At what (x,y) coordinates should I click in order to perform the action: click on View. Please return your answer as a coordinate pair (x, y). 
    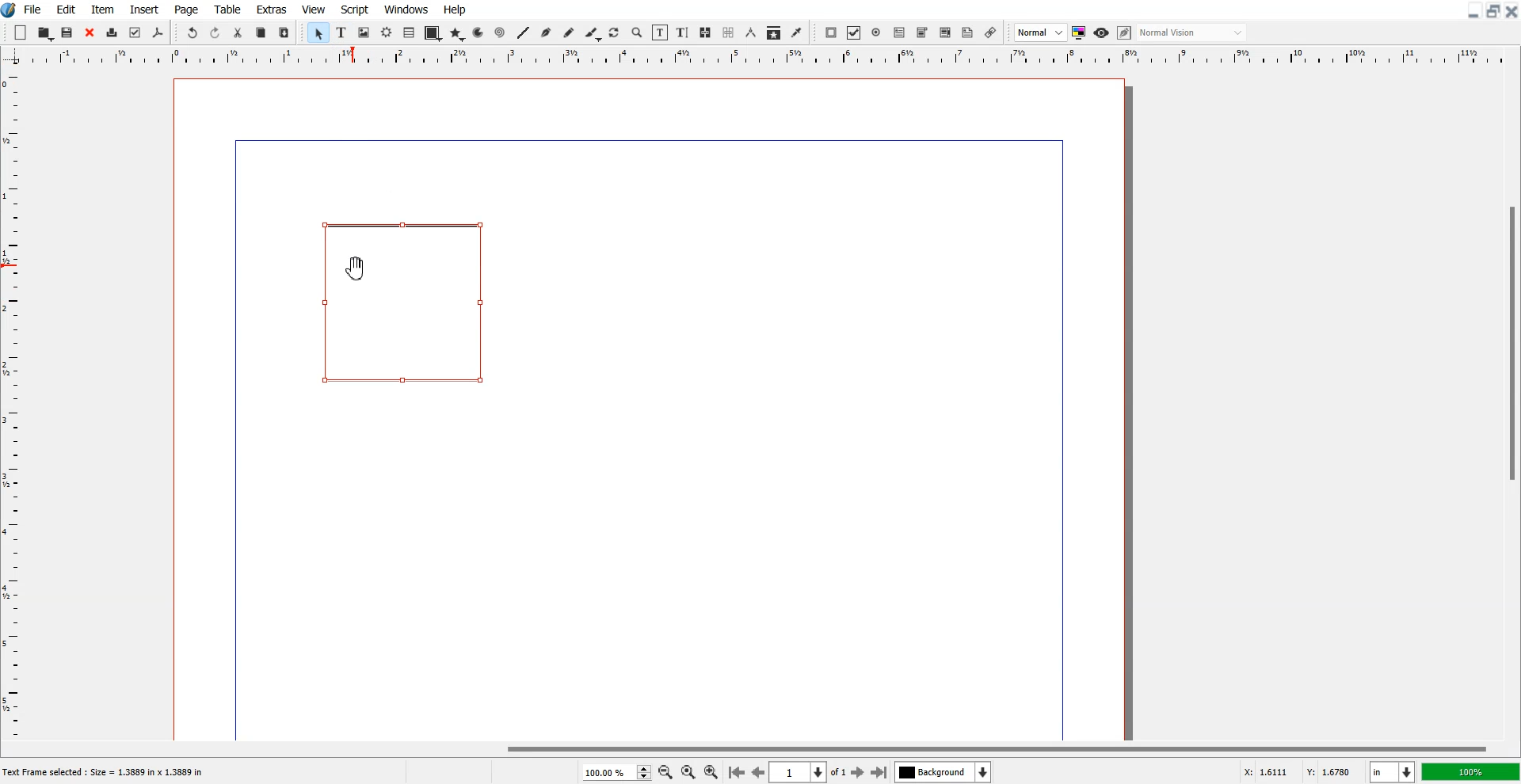
    Looking at the image, I should click on (314, 9).